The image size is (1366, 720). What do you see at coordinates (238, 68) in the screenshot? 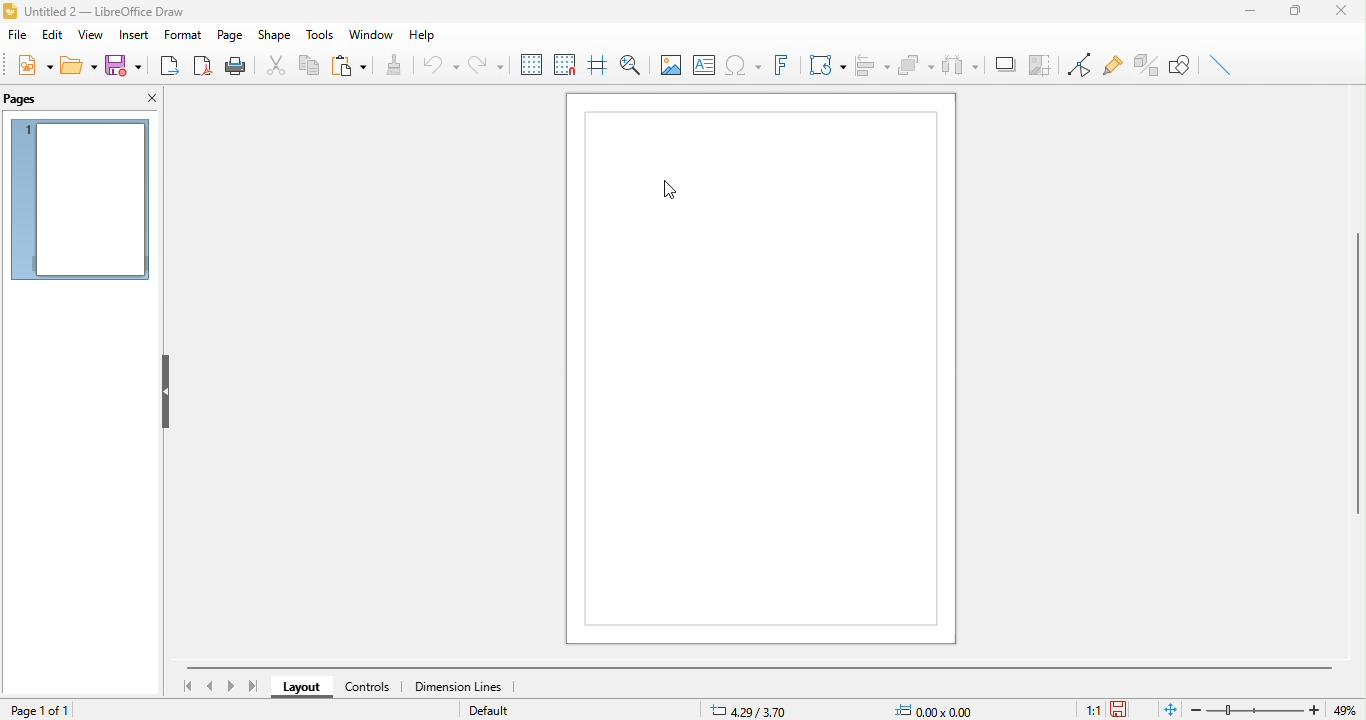
I see `print` at bounding box center [238, 68].